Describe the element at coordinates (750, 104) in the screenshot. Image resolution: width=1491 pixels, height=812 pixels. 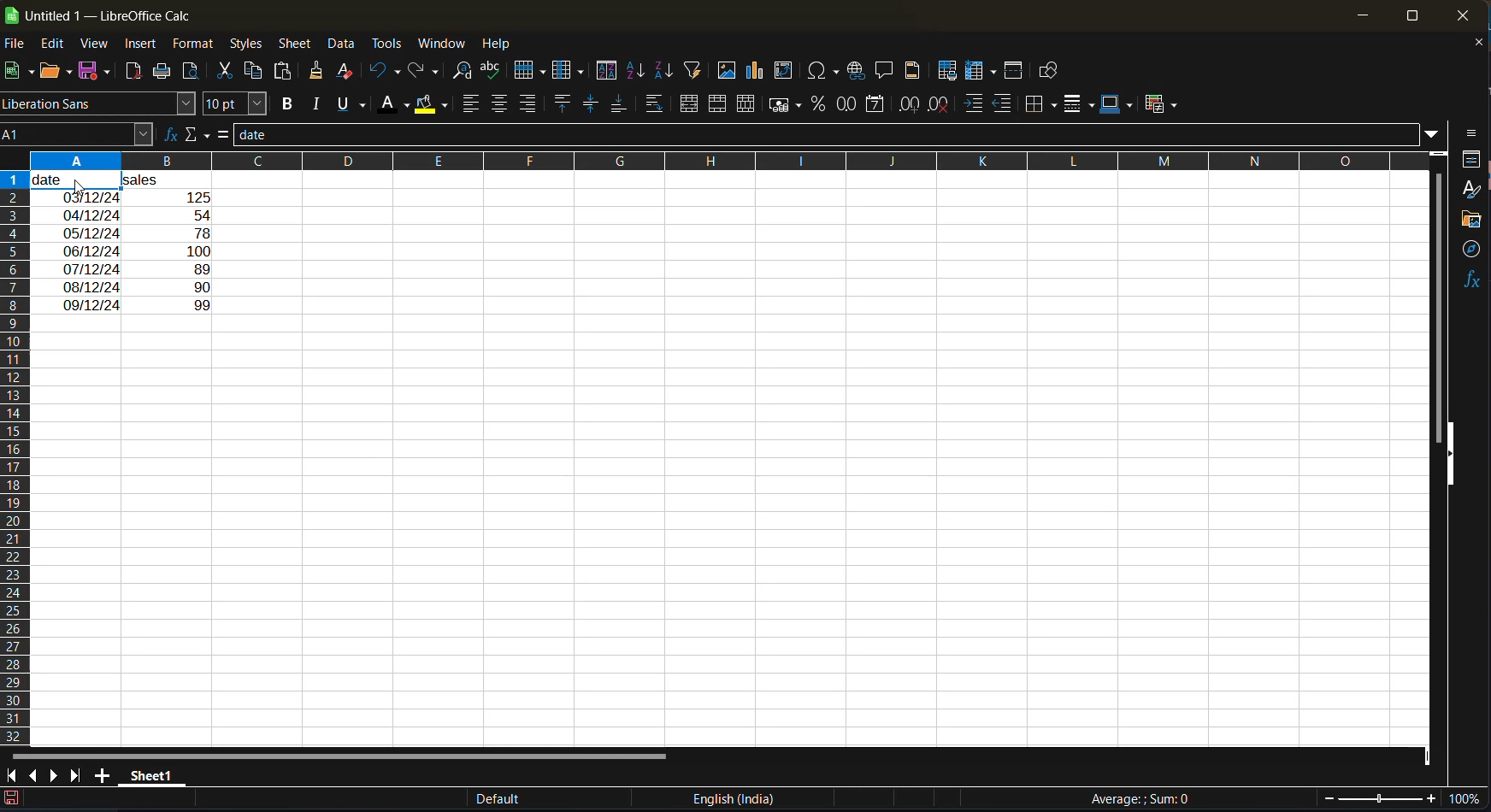
I see `unmerge cells` at that location.